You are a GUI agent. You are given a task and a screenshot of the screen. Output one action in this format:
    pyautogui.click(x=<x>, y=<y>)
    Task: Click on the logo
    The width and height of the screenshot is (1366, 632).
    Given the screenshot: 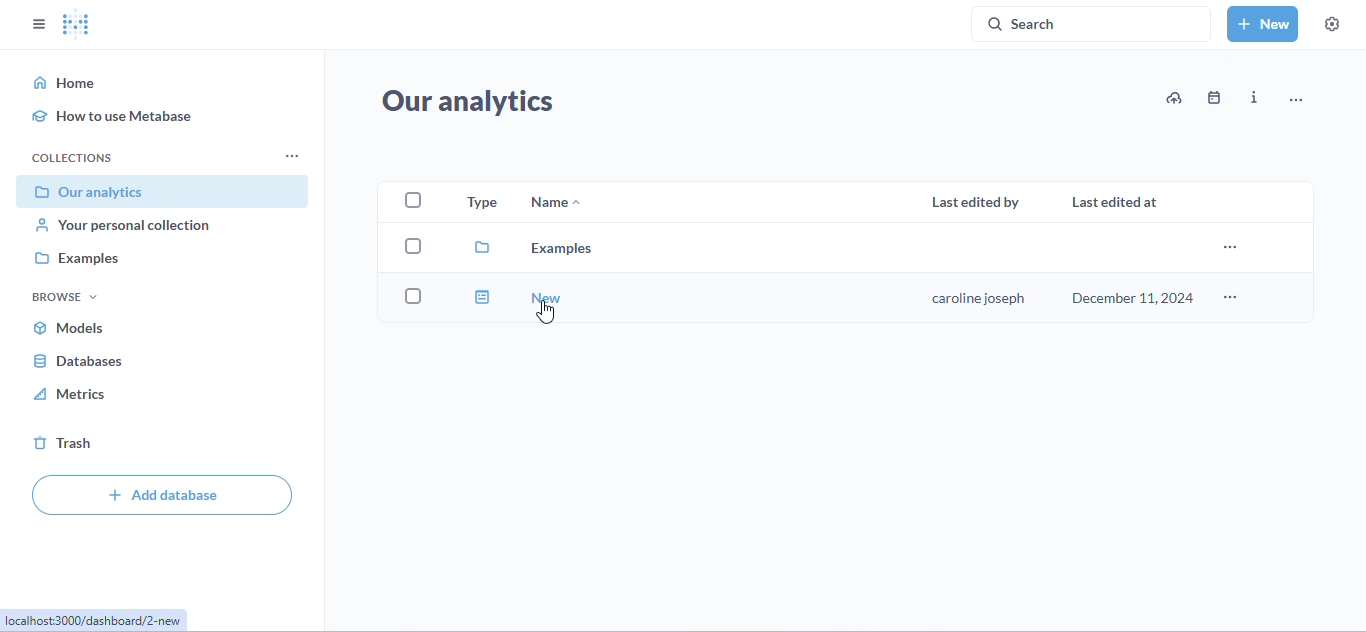 What is the action you would take?
    pyautogui.click(x=77, y=23)
    